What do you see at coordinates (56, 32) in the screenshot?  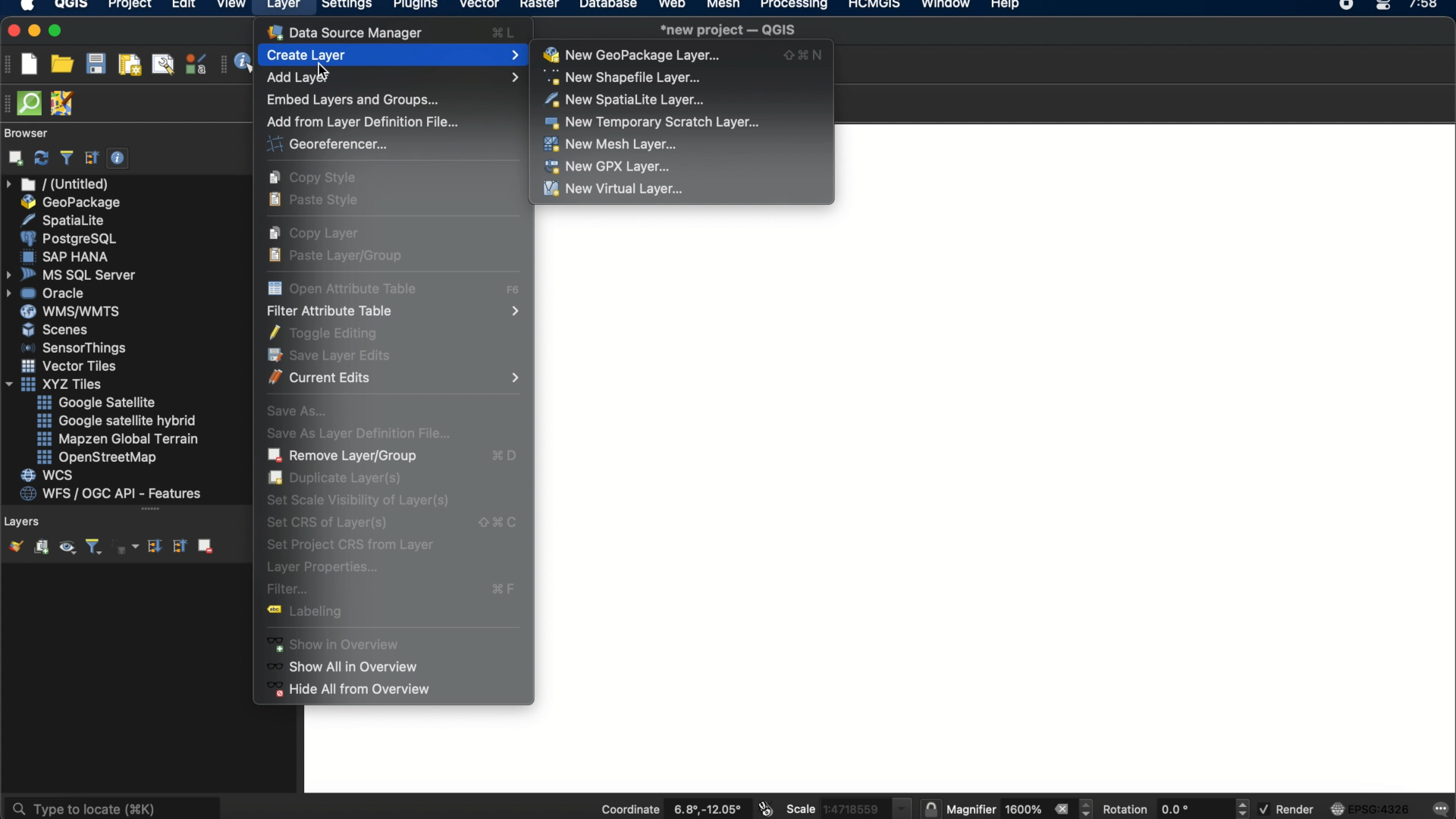 I see `maximize` at bounding box center [56, 32].